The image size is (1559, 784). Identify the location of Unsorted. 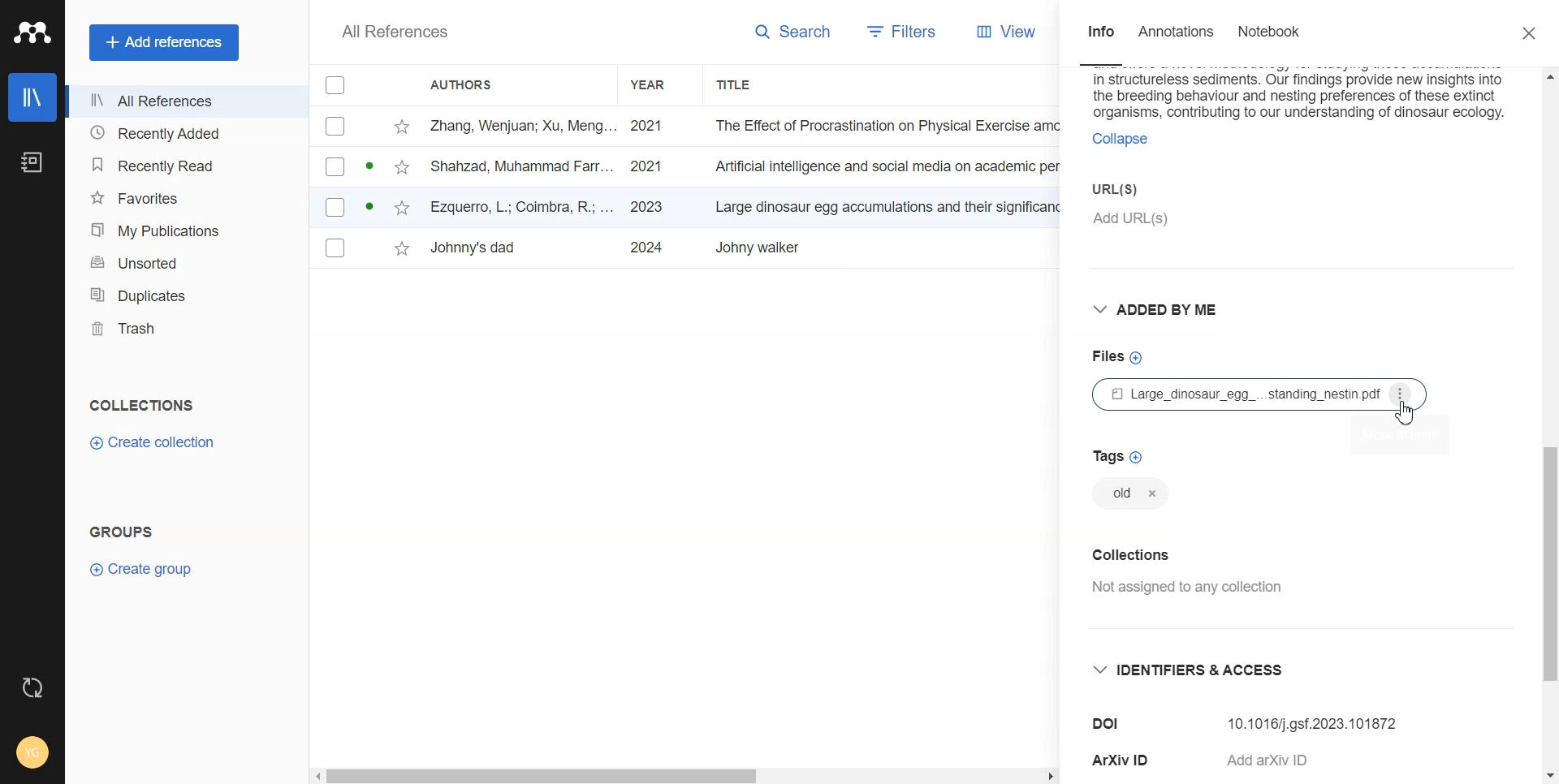
(177, 261).